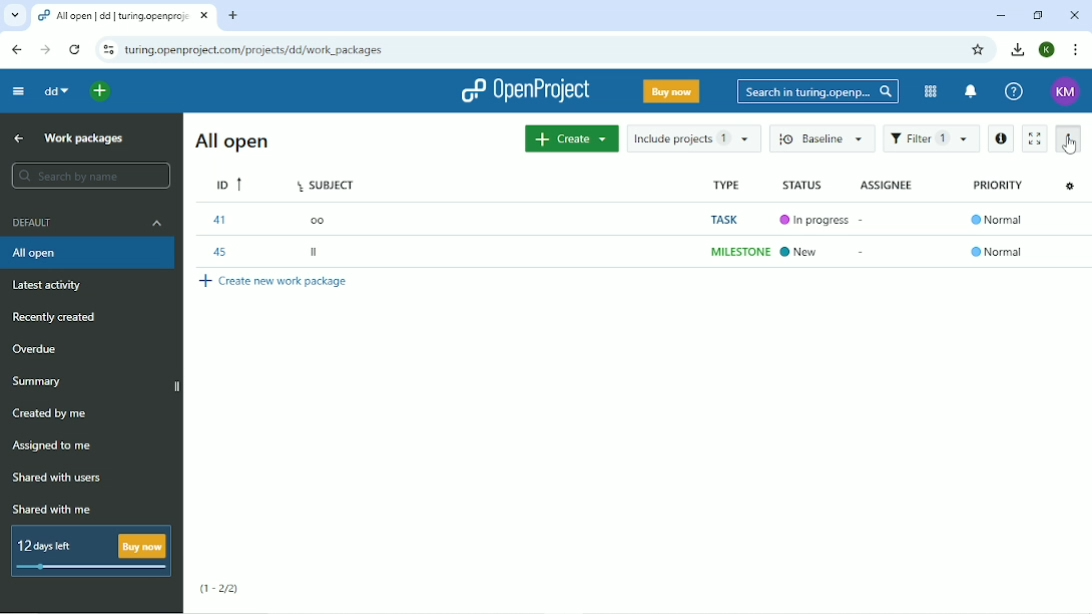 The width and height of the screenshot is (1092, 614). What do you see at coordinates (812, 219) in the screenshot?
I see `In progress` at bounding box center [812, 219].